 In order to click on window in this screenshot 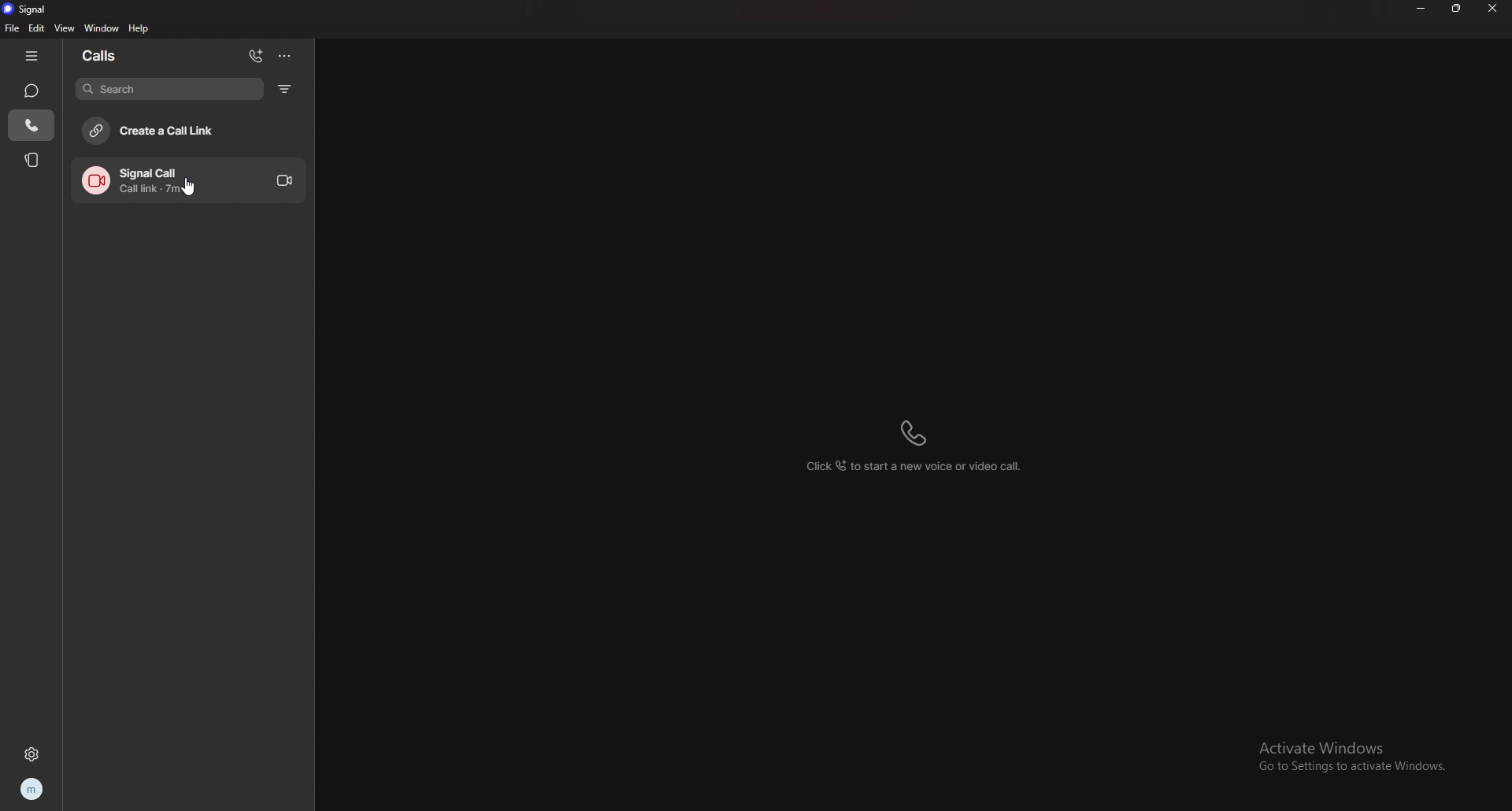, I will do `click(102, 28)`.